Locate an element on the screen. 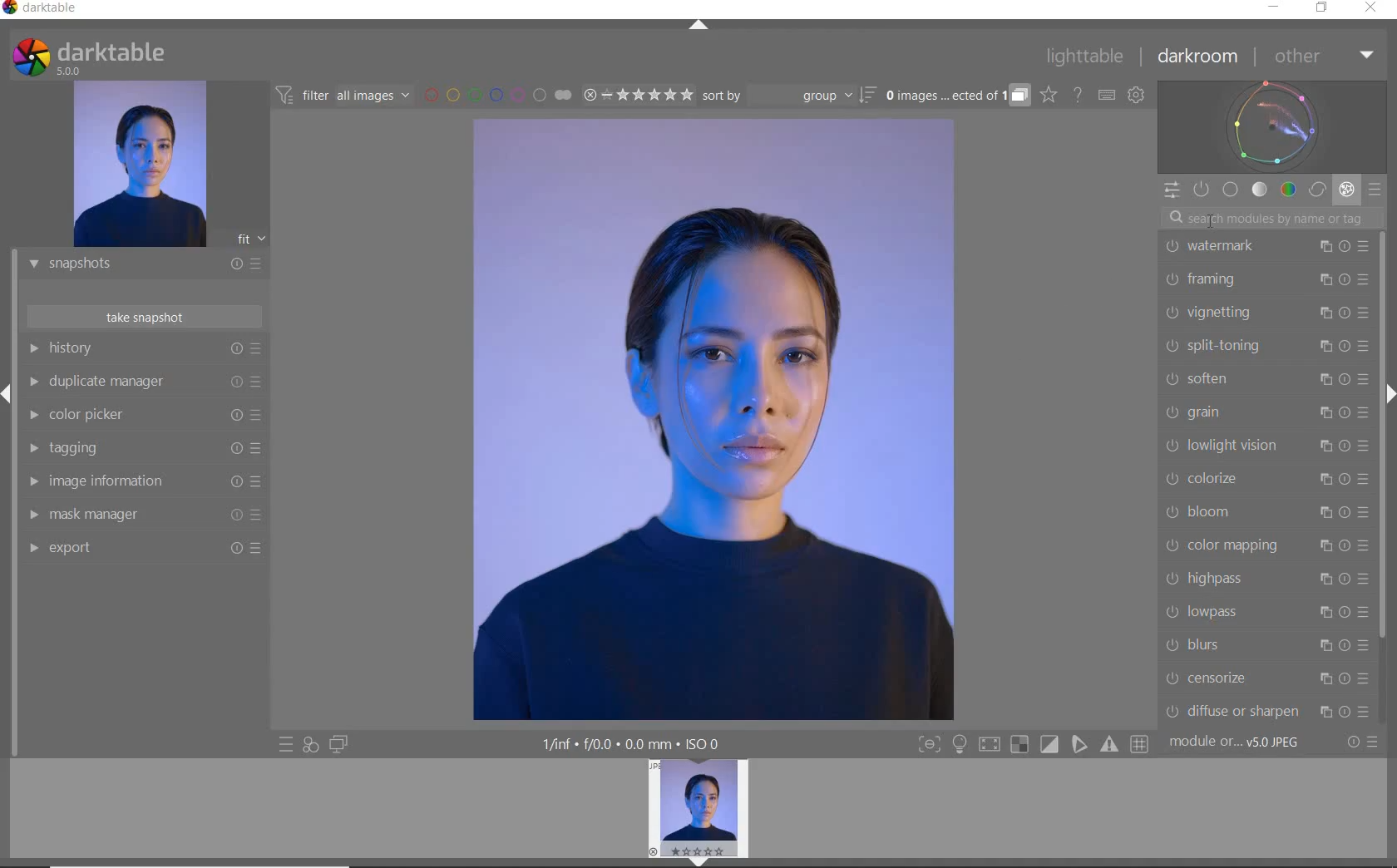 The width and height of the screenshot is (1397, 868). EXPAND GROUPED IMAGES is located at coordinates (957, 96).